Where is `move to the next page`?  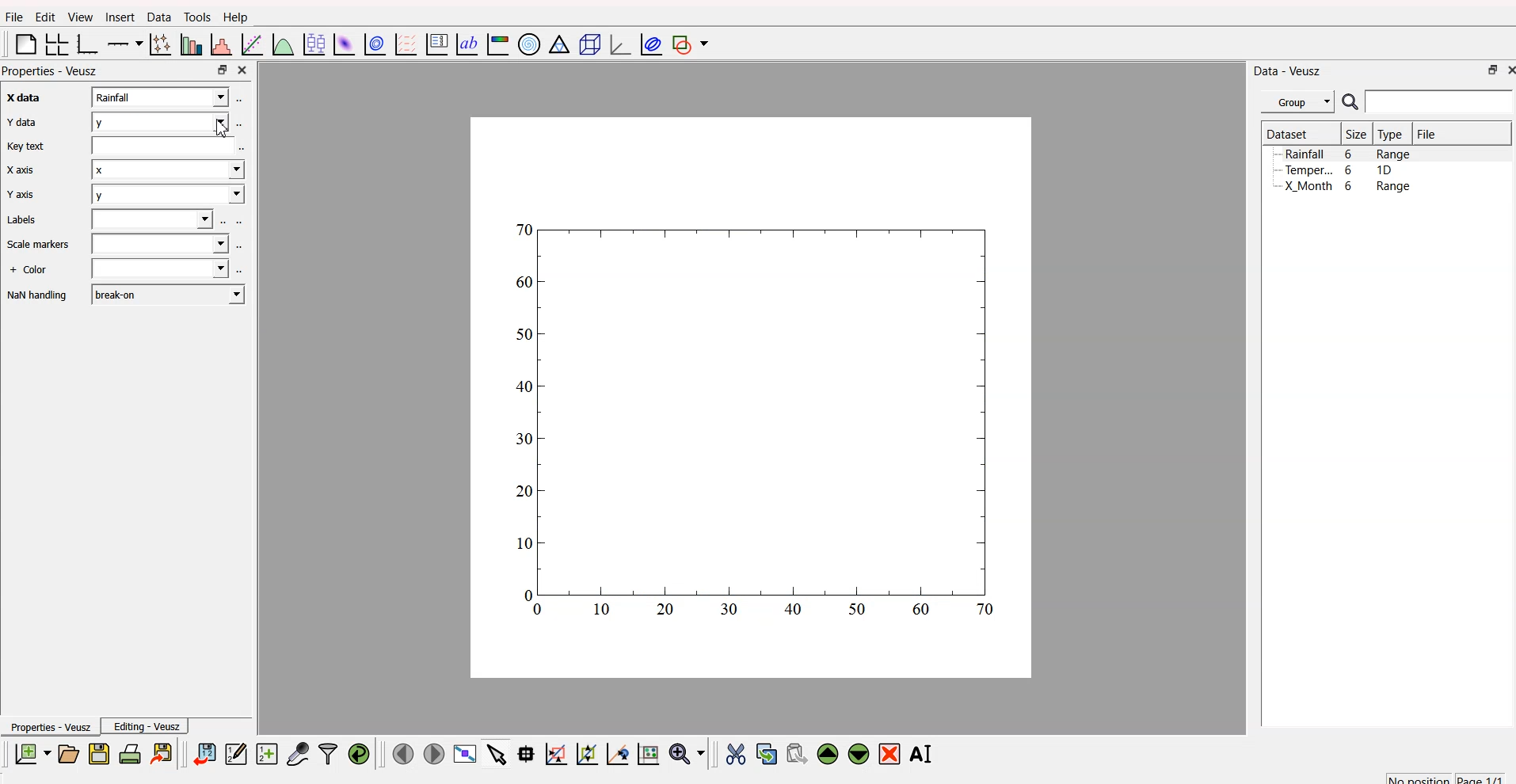 move to the next page is located at coordinates (436, 754).